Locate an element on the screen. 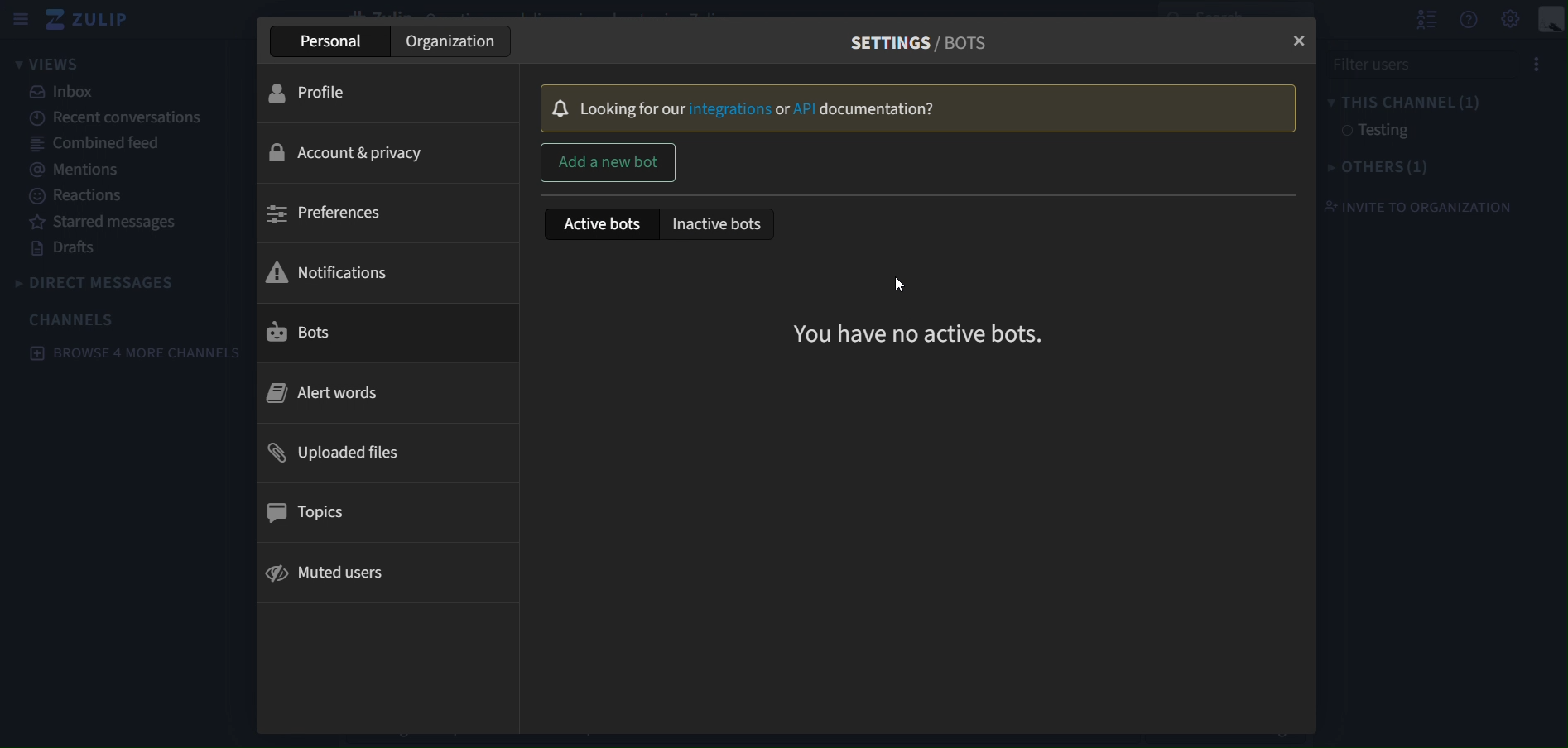  alert words is located at coordinates (335, 393).